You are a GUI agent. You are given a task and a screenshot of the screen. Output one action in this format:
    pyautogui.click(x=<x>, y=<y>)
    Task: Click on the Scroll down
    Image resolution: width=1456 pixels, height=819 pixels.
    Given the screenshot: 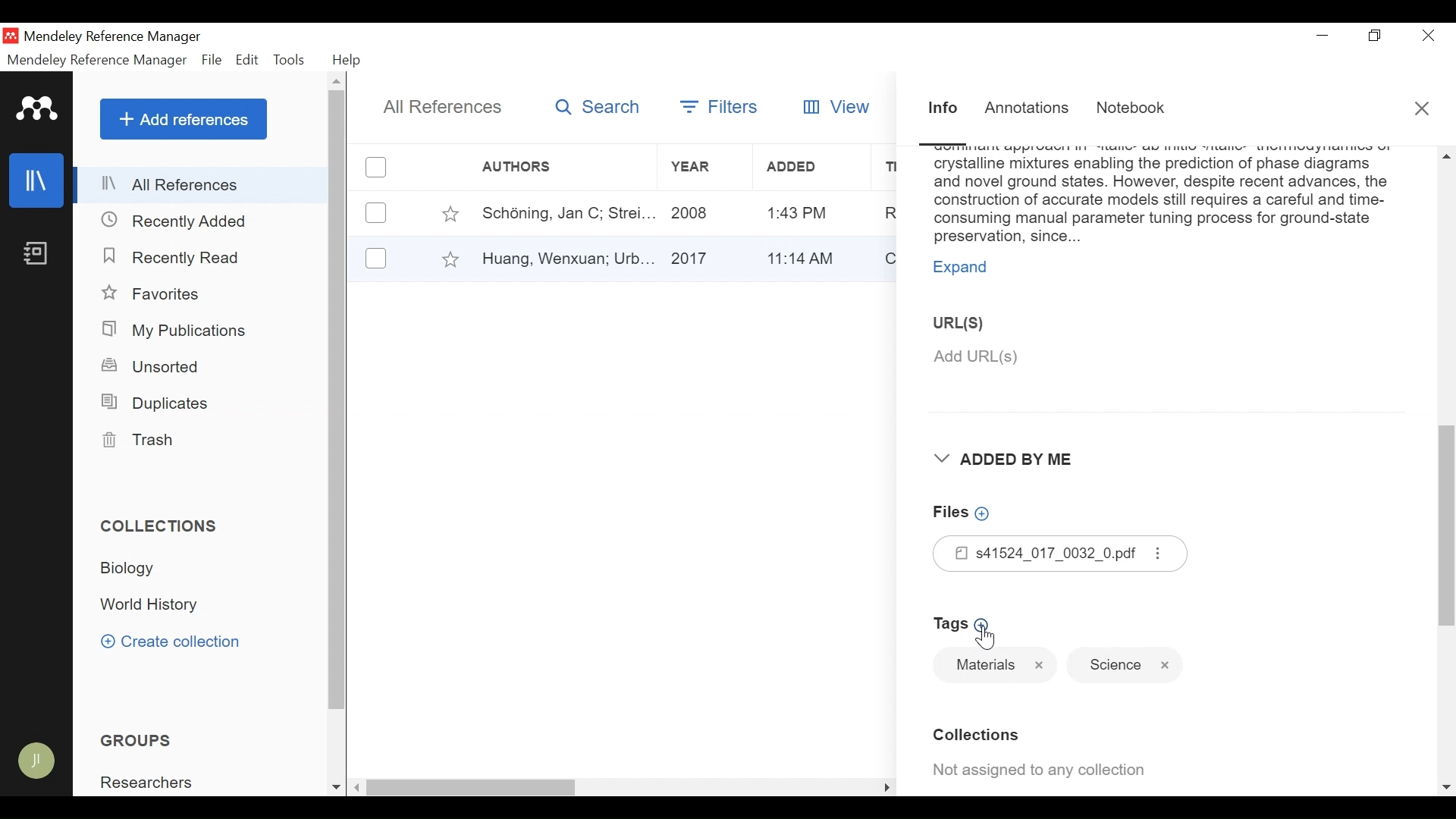 What is the action you would take?
    pyautogui.click(x=336, y=789)
    